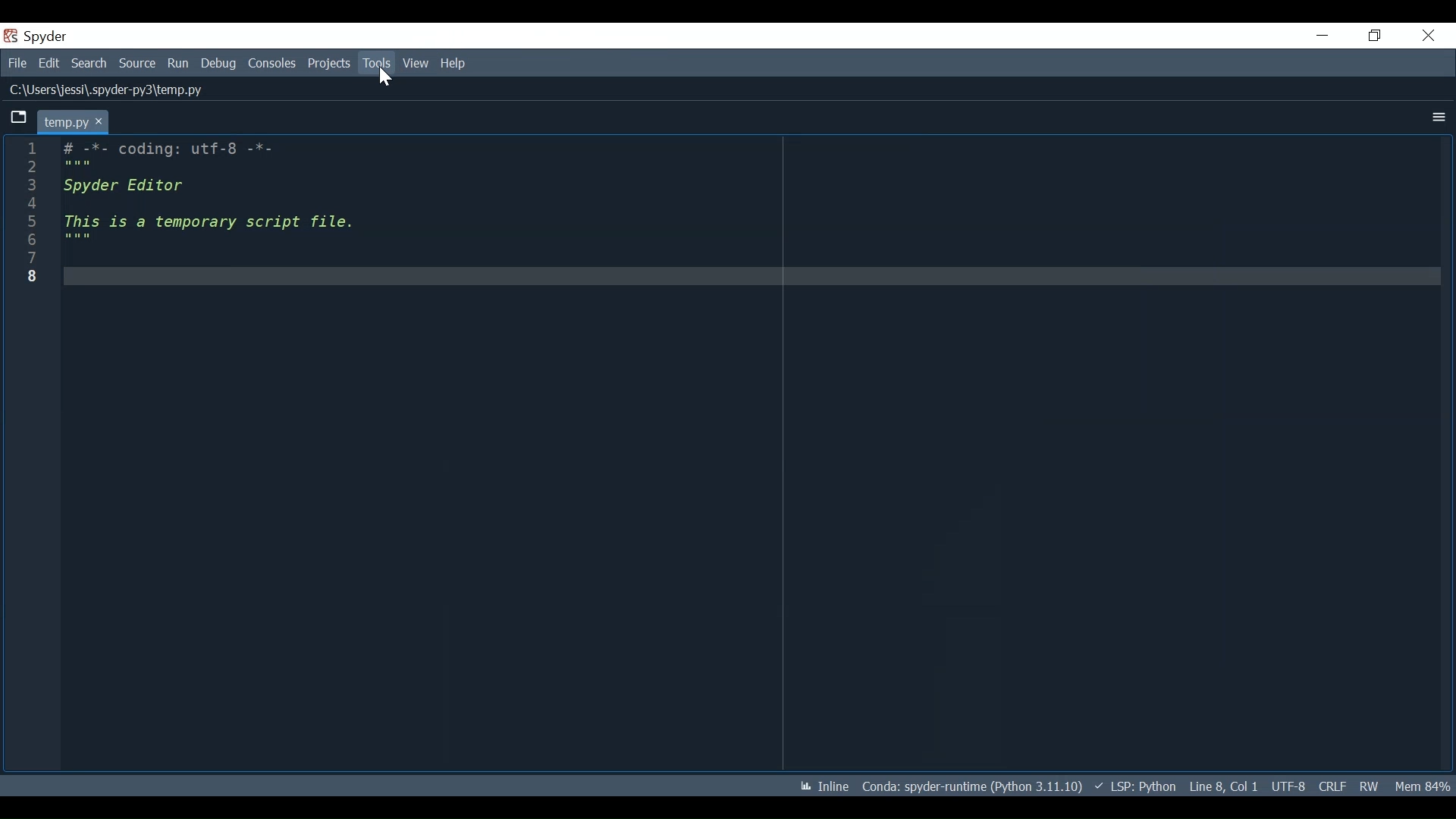 The image size is (1456, 819). What do you see at coordinates (51, 64) in the screenshot?
I see `Edit` at bounding box center [51, 64].